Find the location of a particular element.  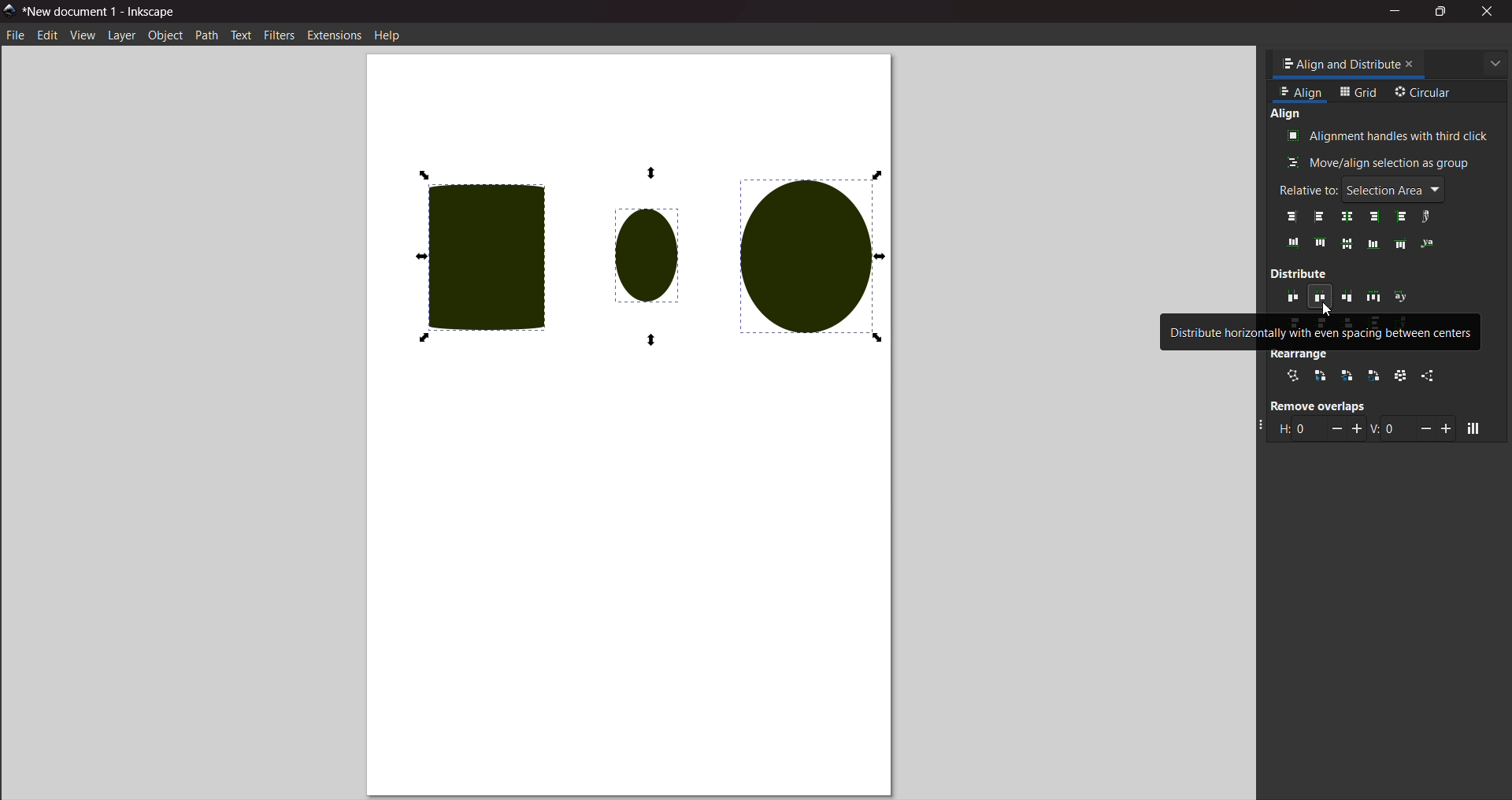

stacking order is located at coordinates (1347, 376).